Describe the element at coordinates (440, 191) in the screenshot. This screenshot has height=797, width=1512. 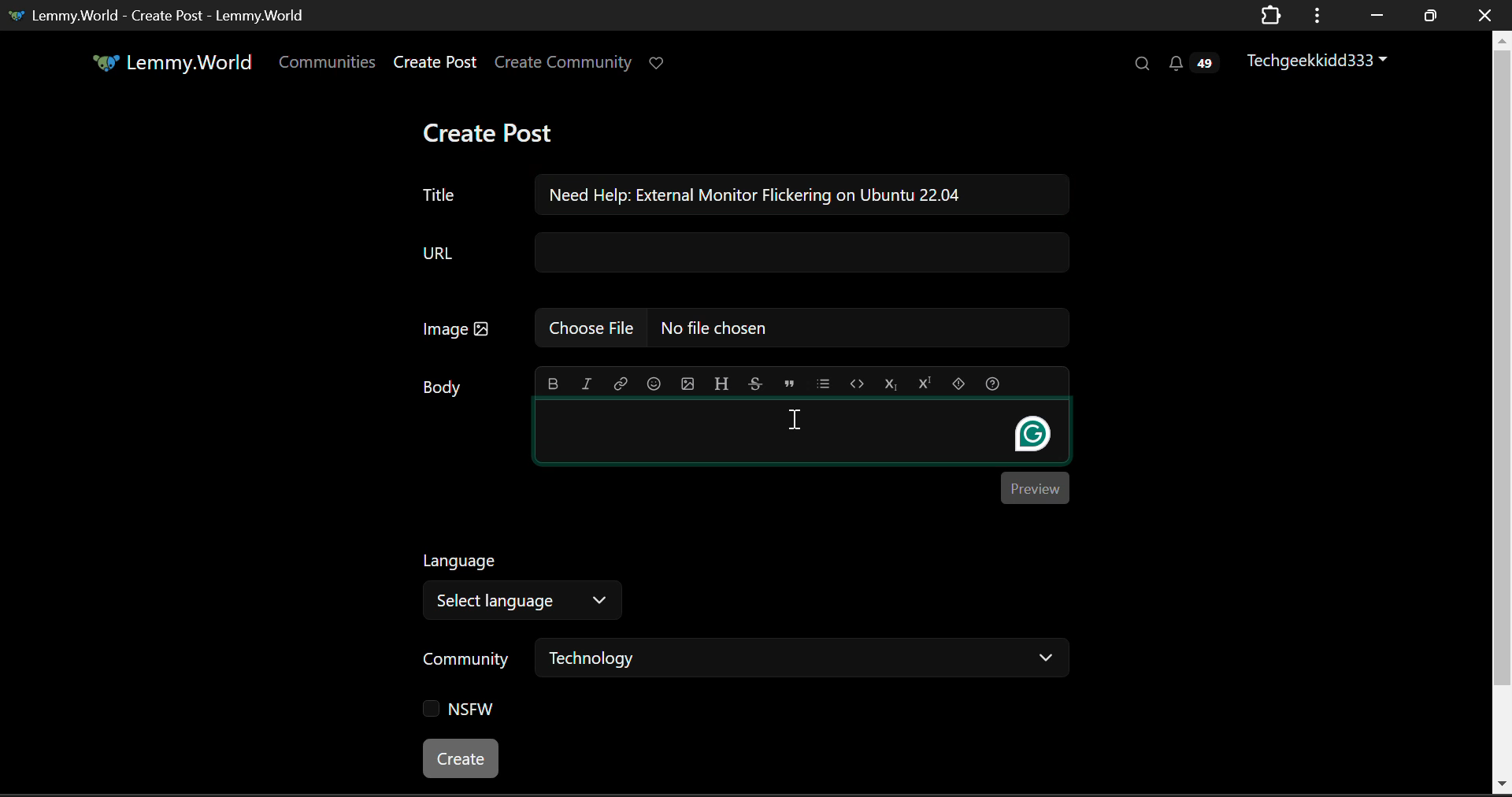
I see `Post Title Textbox Field` at that location.